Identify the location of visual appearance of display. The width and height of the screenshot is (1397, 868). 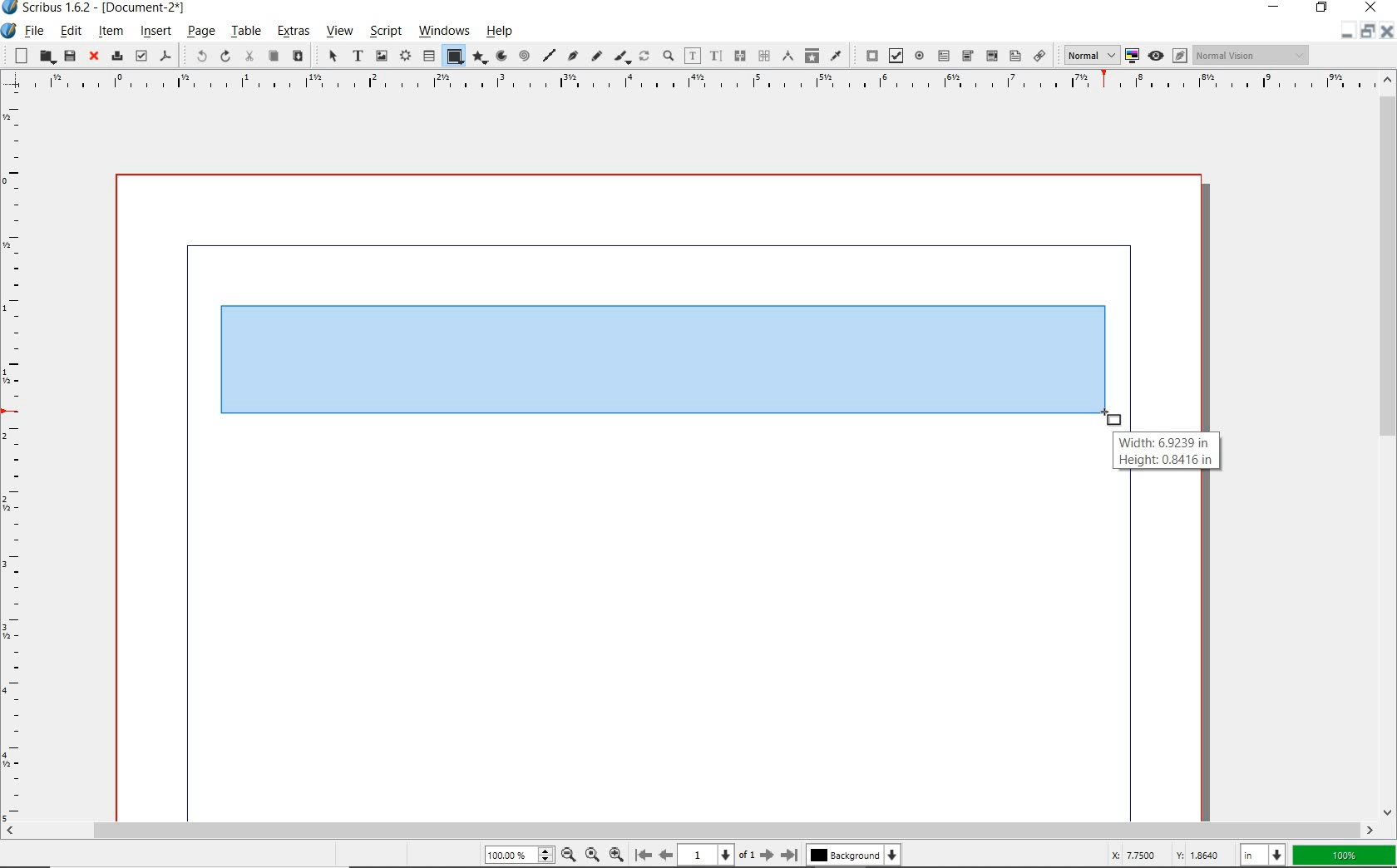
(1254, 54).